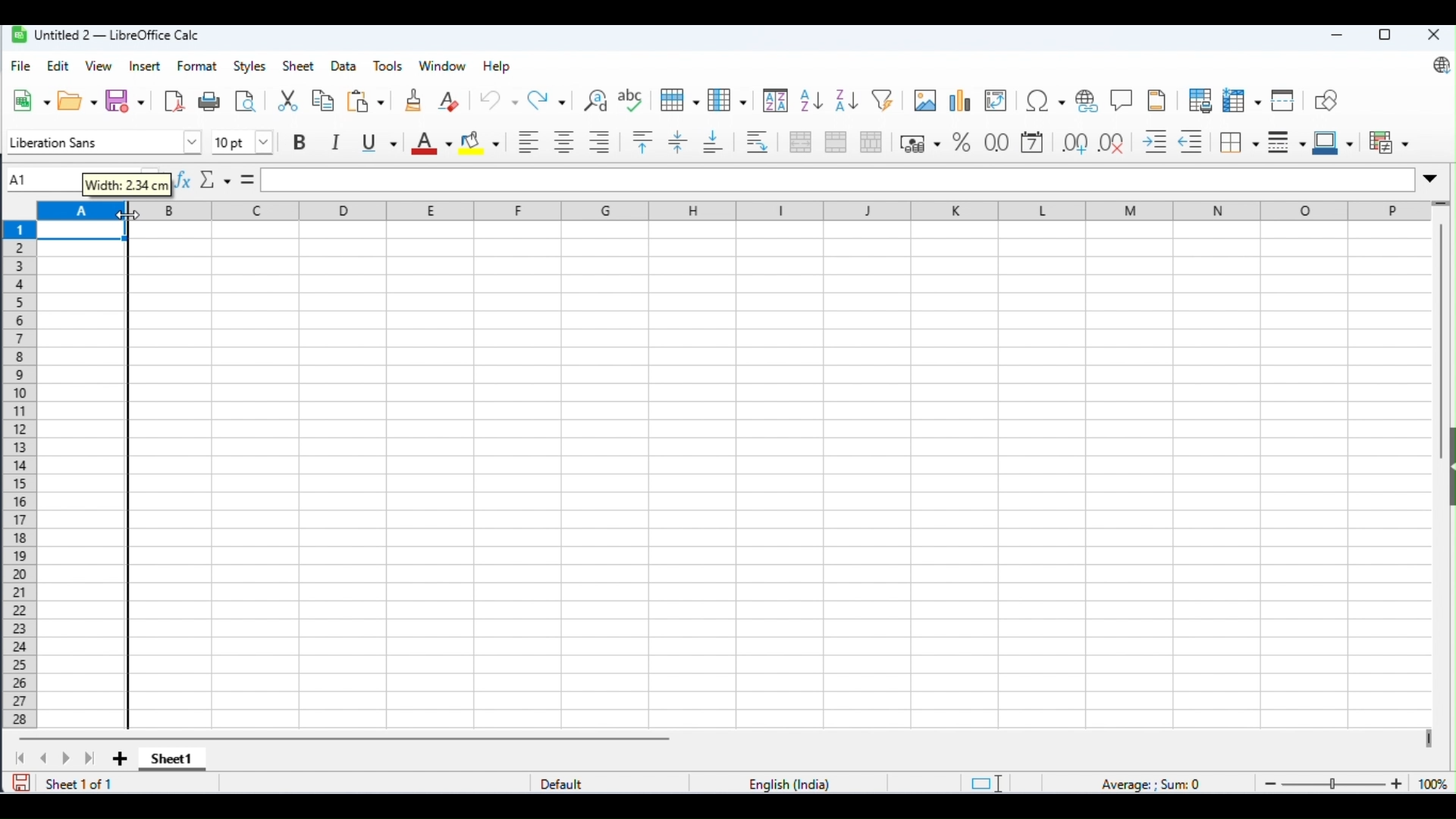 Image resolution: width=1456 pixels, height=819 pixels. I want to click on vertical scroll bar, so click(1444, 347).